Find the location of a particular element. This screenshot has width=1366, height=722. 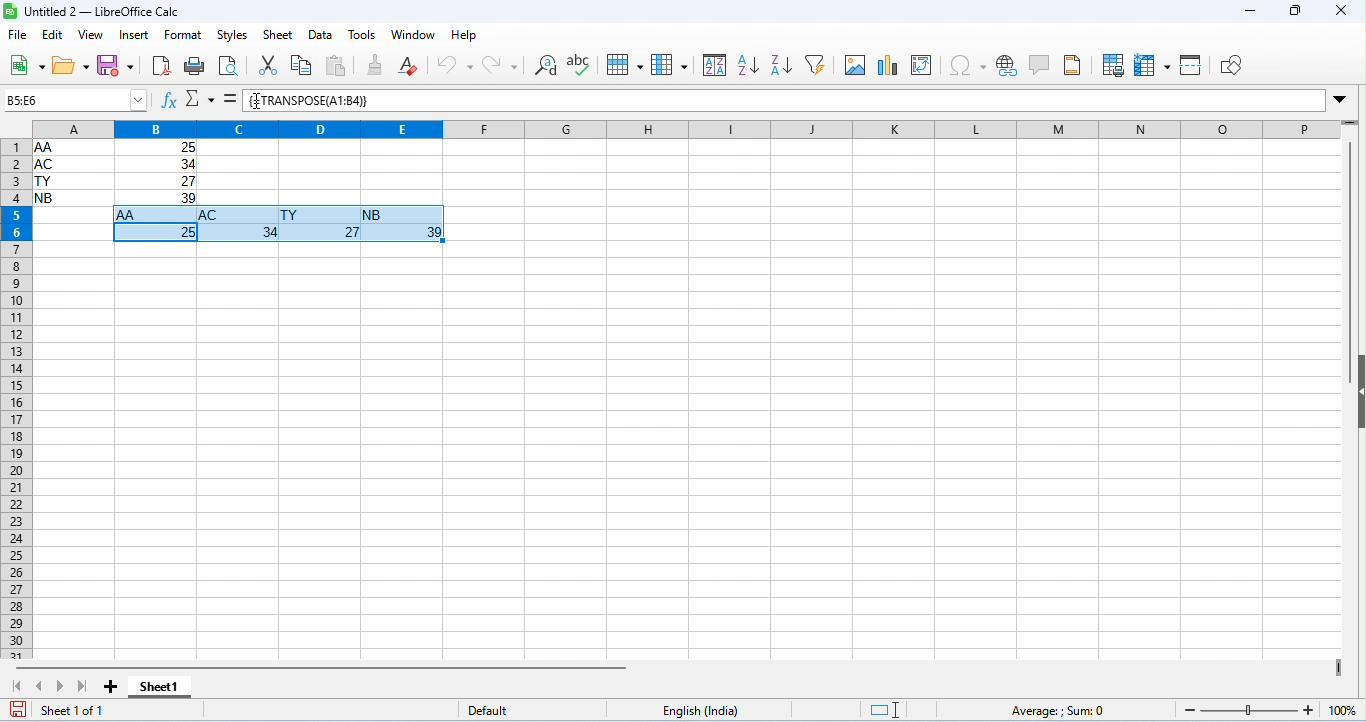

header and footer is located at coordinates (1074, 65).